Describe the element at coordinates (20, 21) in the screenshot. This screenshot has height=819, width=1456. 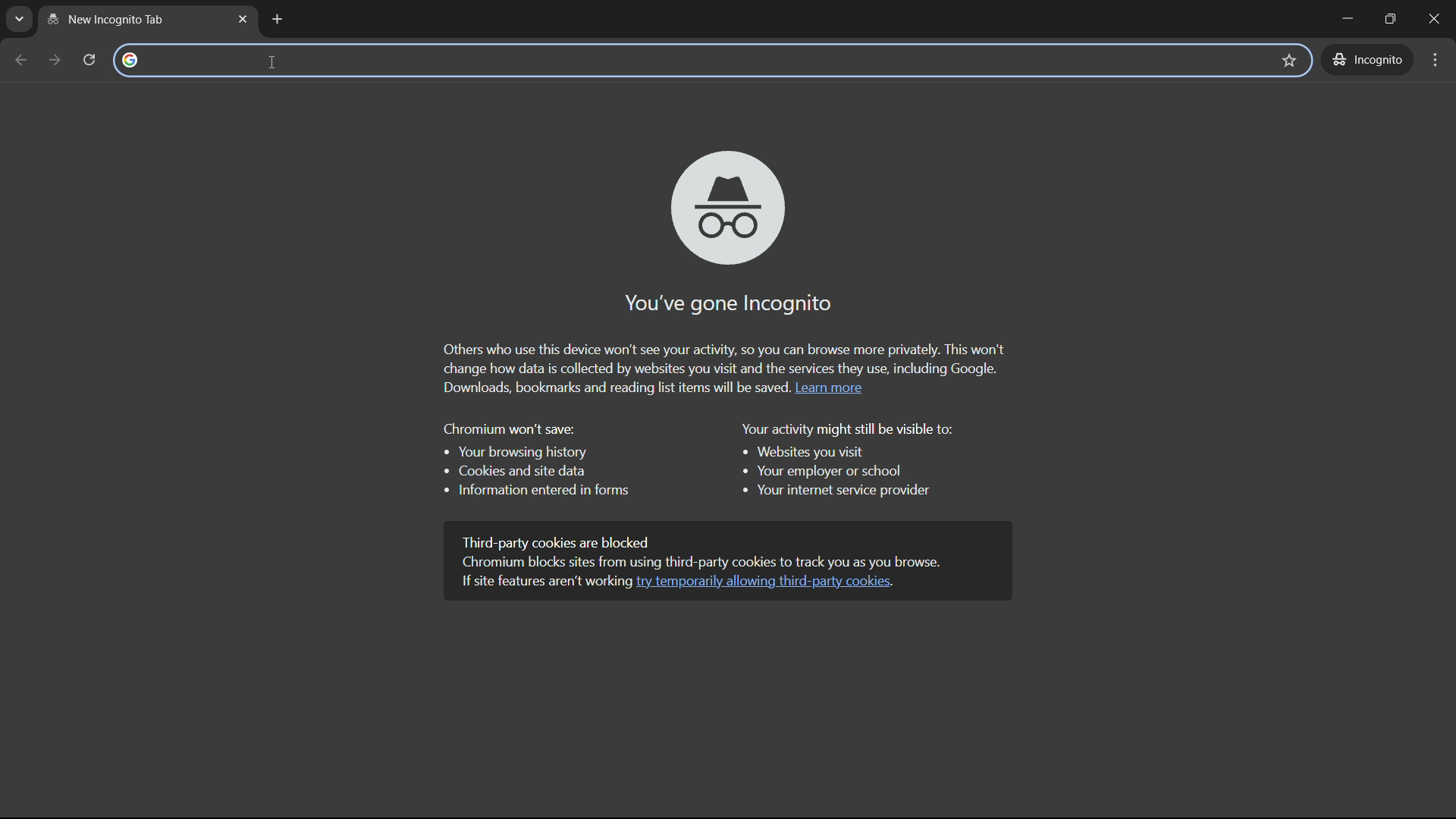
I see `search tabs` at that location.